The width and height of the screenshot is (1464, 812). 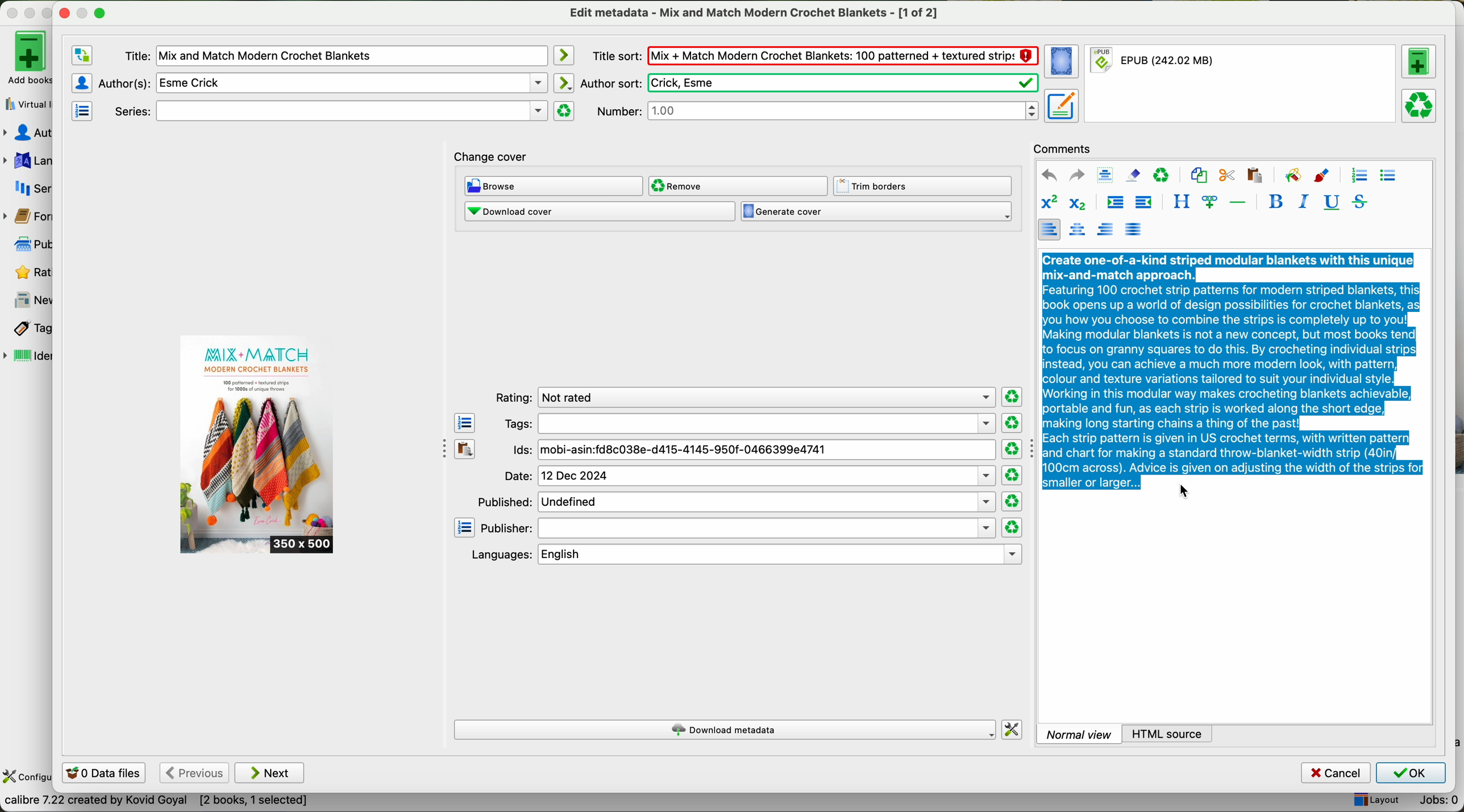 I want to click on clear rating, so click(x=1012, y=528).